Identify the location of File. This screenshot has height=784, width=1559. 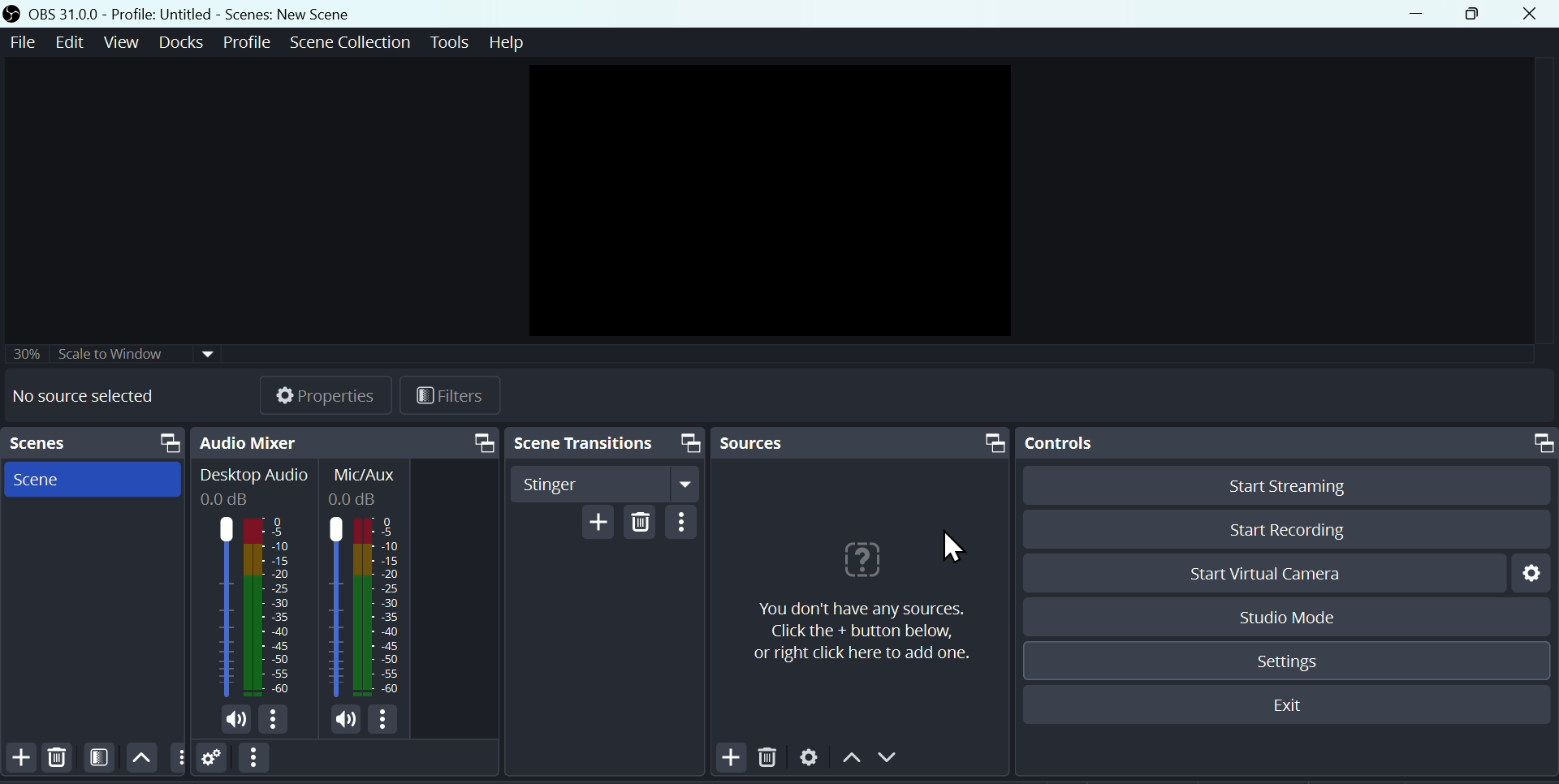
(22, 41).